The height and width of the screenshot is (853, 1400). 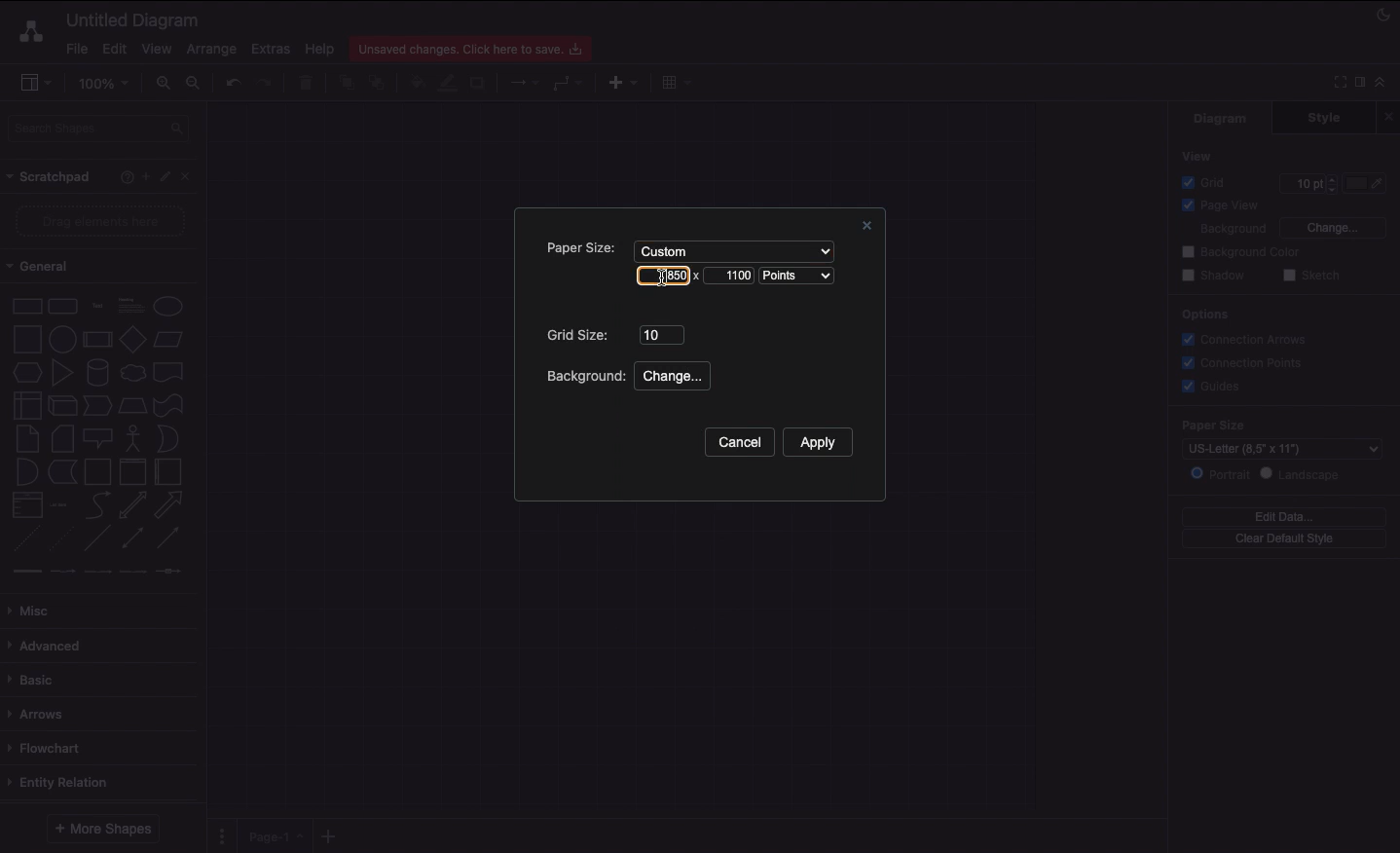 What do you see at coordinates (112, 49) in the screenshot?
I see `Edit` at bounding box center [112, 49].